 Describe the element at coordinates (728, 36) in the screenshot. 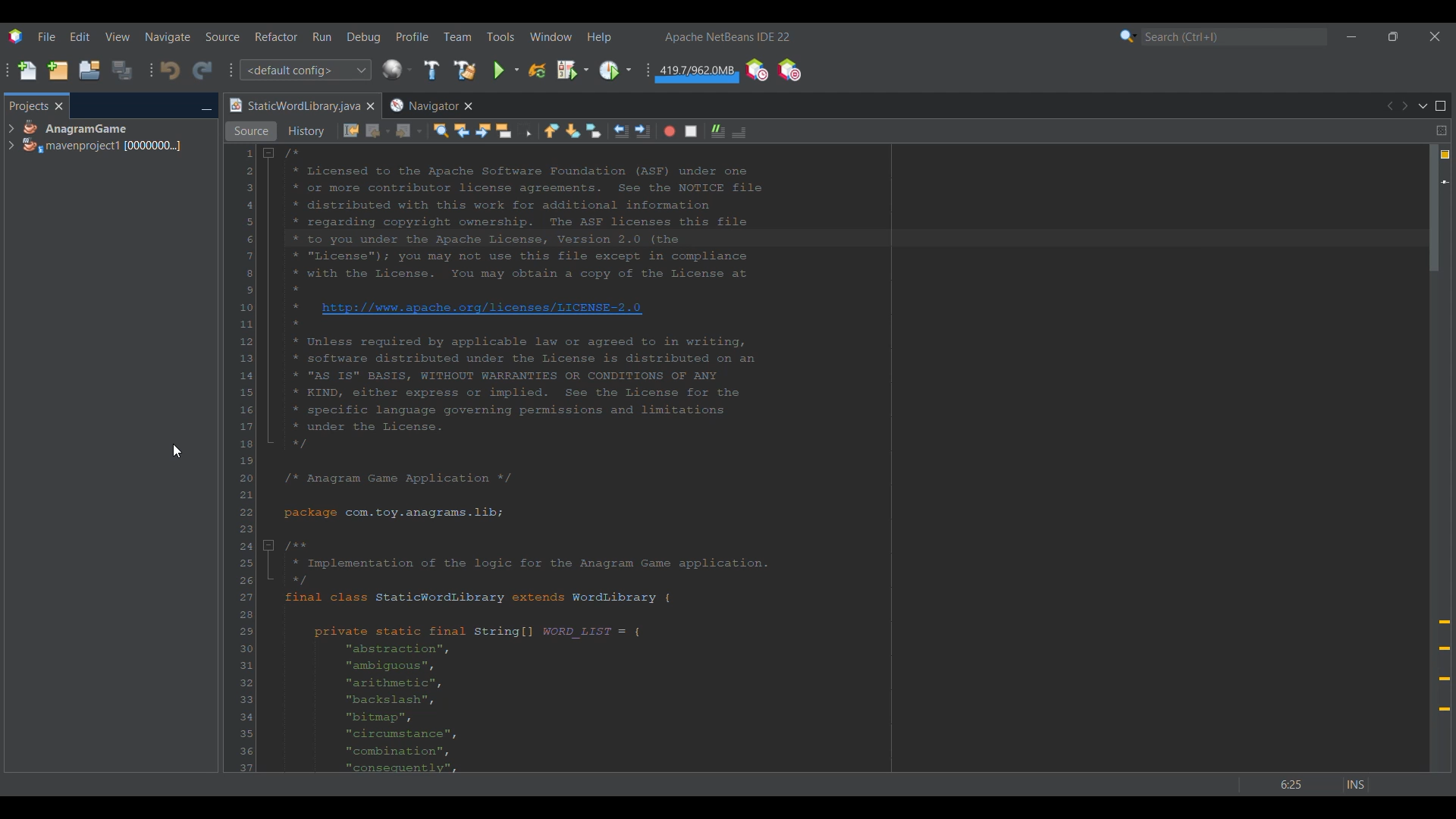

I see `Software name and version` at that location.